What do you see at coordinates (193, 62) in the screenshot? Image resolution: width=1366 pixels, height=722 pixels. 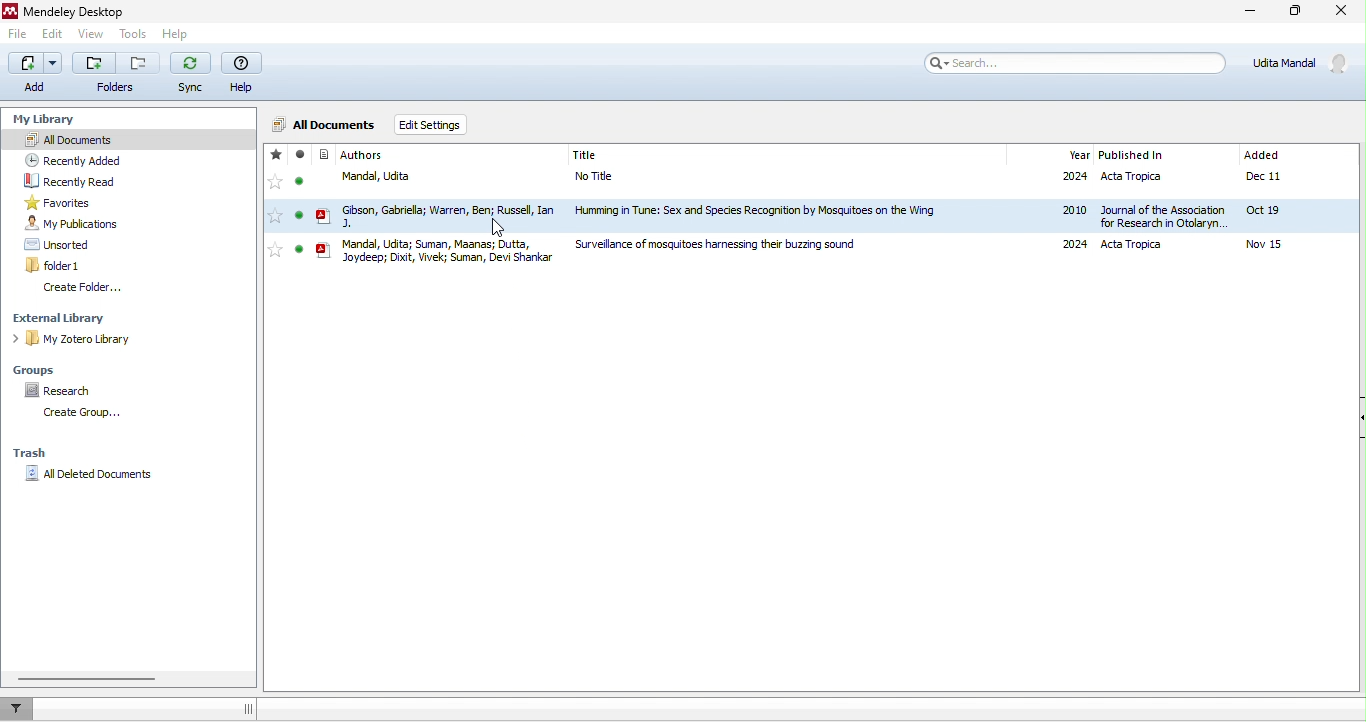 I see `sync` at bounding box center [193, 62].